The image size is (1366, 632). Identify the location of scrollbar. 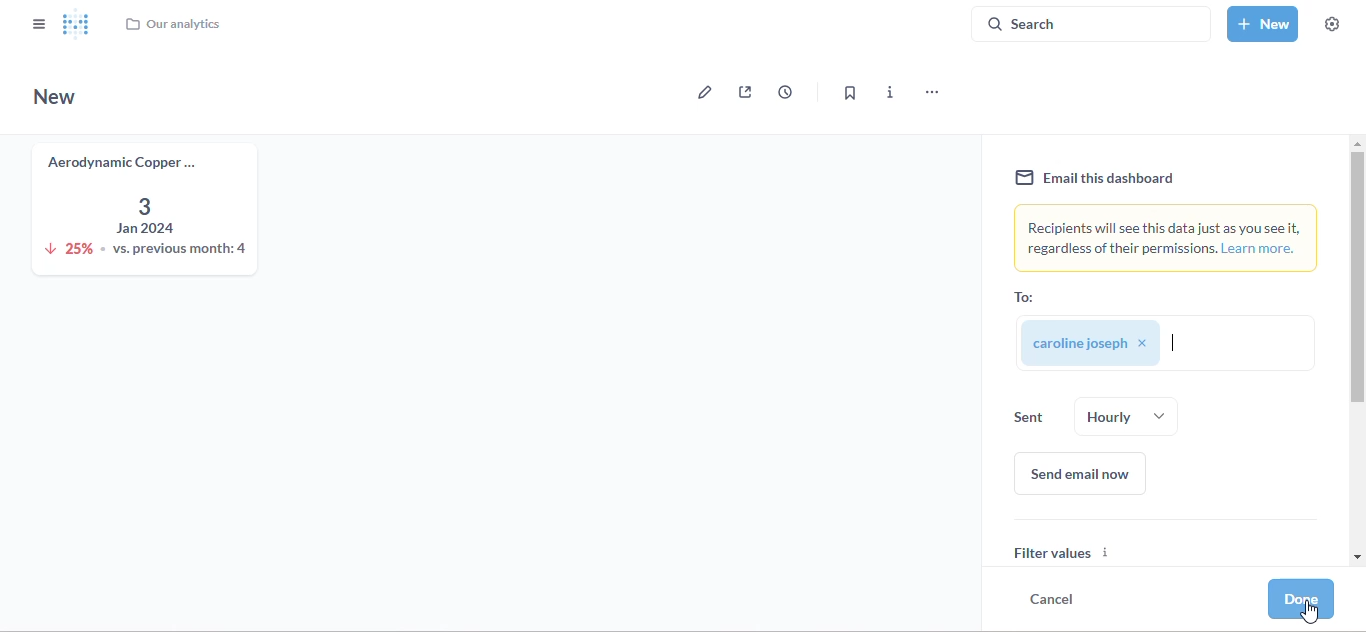
(1356, 347).